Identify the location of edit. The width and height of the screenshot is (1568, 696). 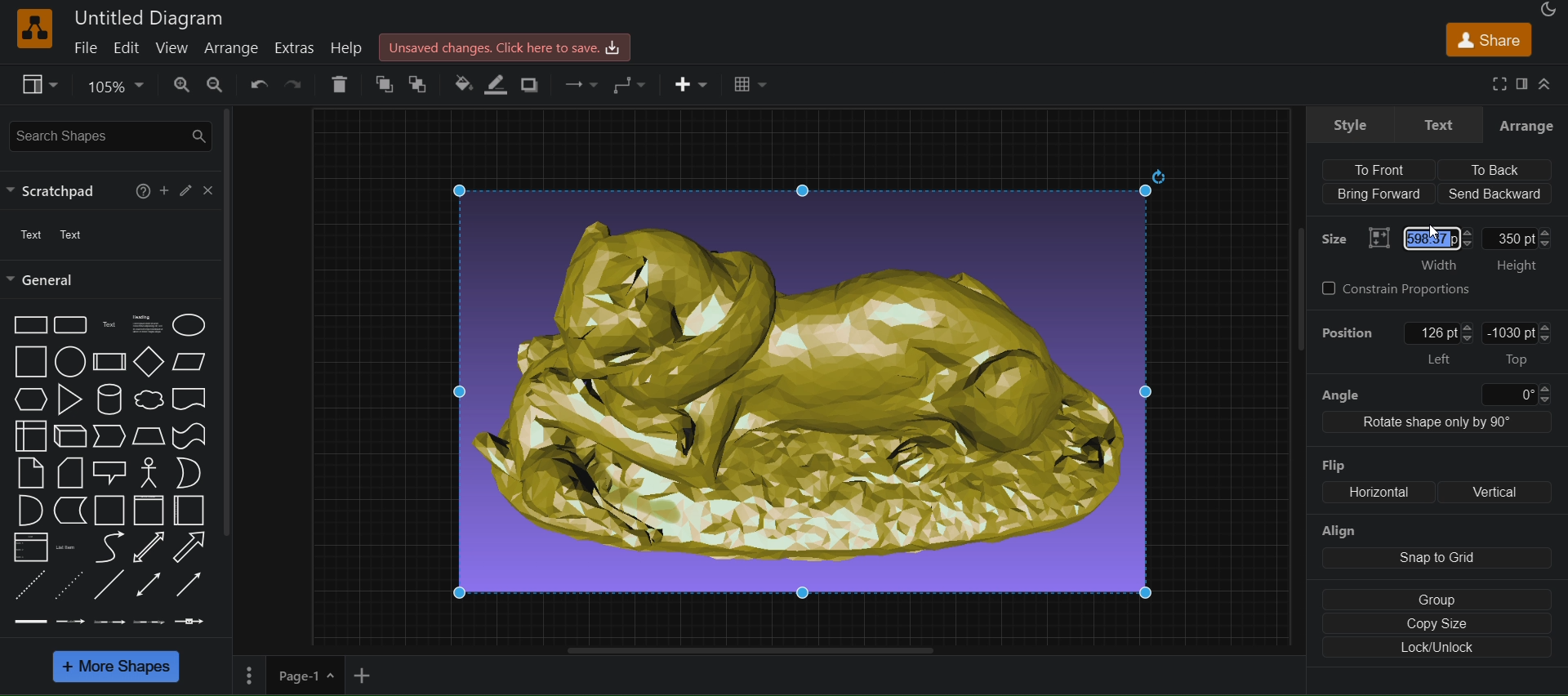
(125, 47).